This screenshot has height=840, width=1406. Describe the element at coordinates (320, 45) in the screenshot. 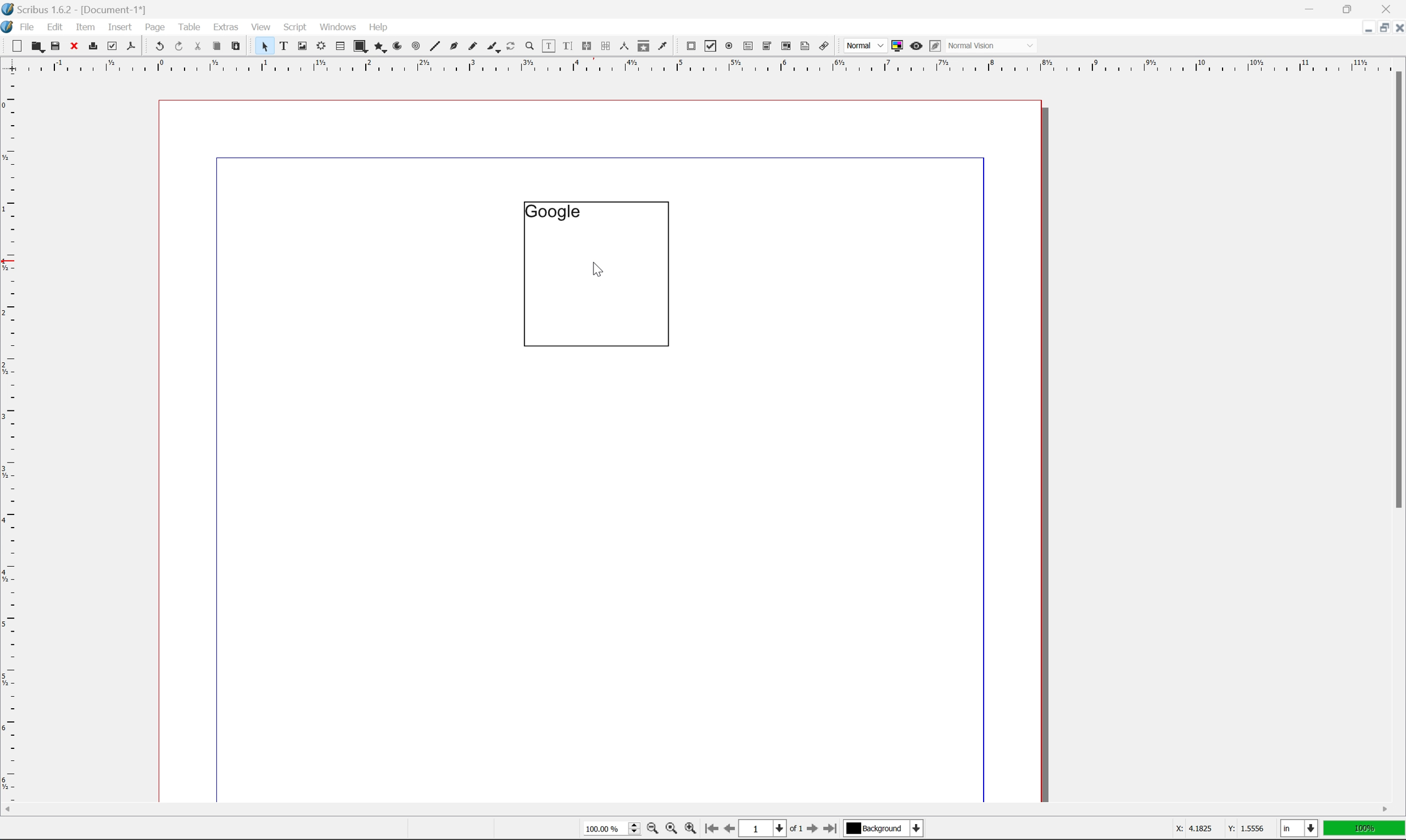

I see `render frame` at that location.